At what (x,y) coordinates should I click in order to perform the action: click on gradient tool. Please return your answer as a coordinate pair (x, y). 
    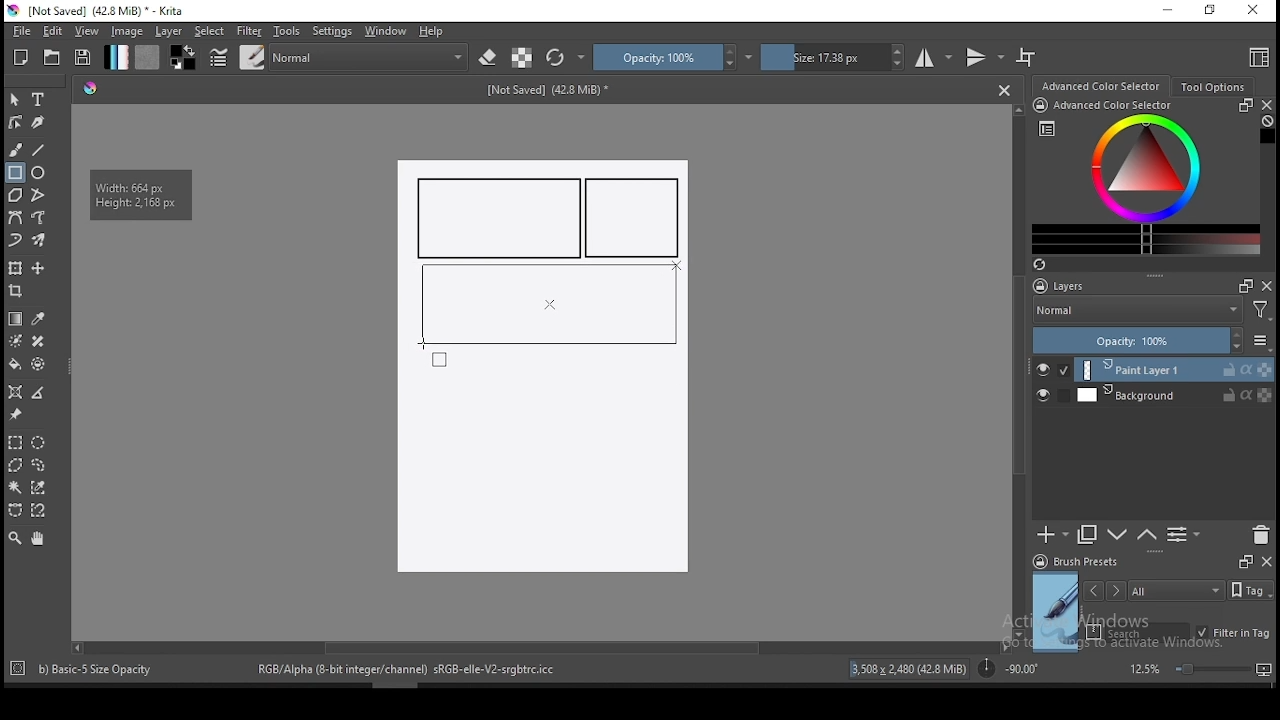
    Looking at the image, I should click on (16, 319).